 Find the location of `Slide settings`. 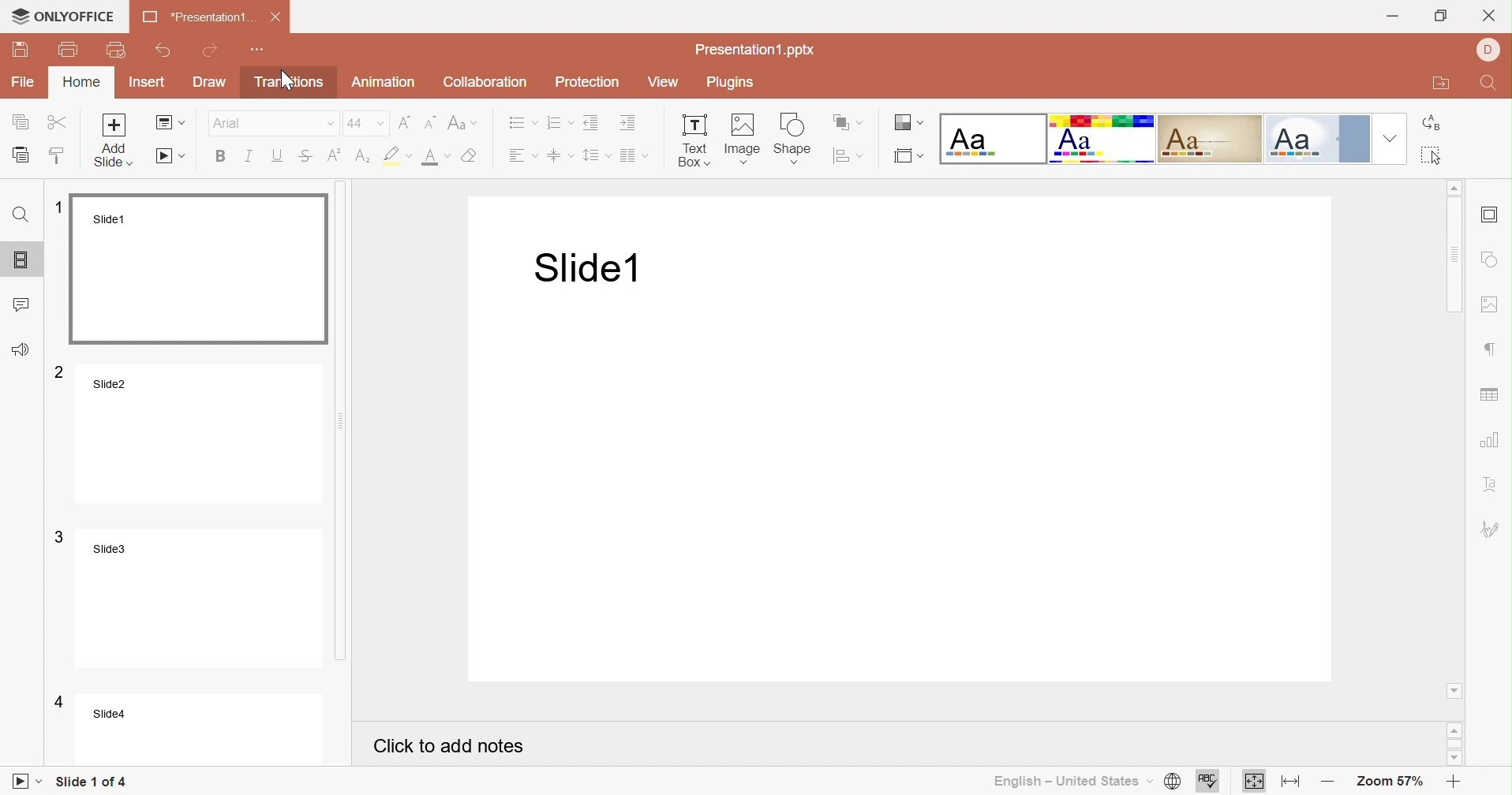

Slide settings is located at coordinates (1488, 215).